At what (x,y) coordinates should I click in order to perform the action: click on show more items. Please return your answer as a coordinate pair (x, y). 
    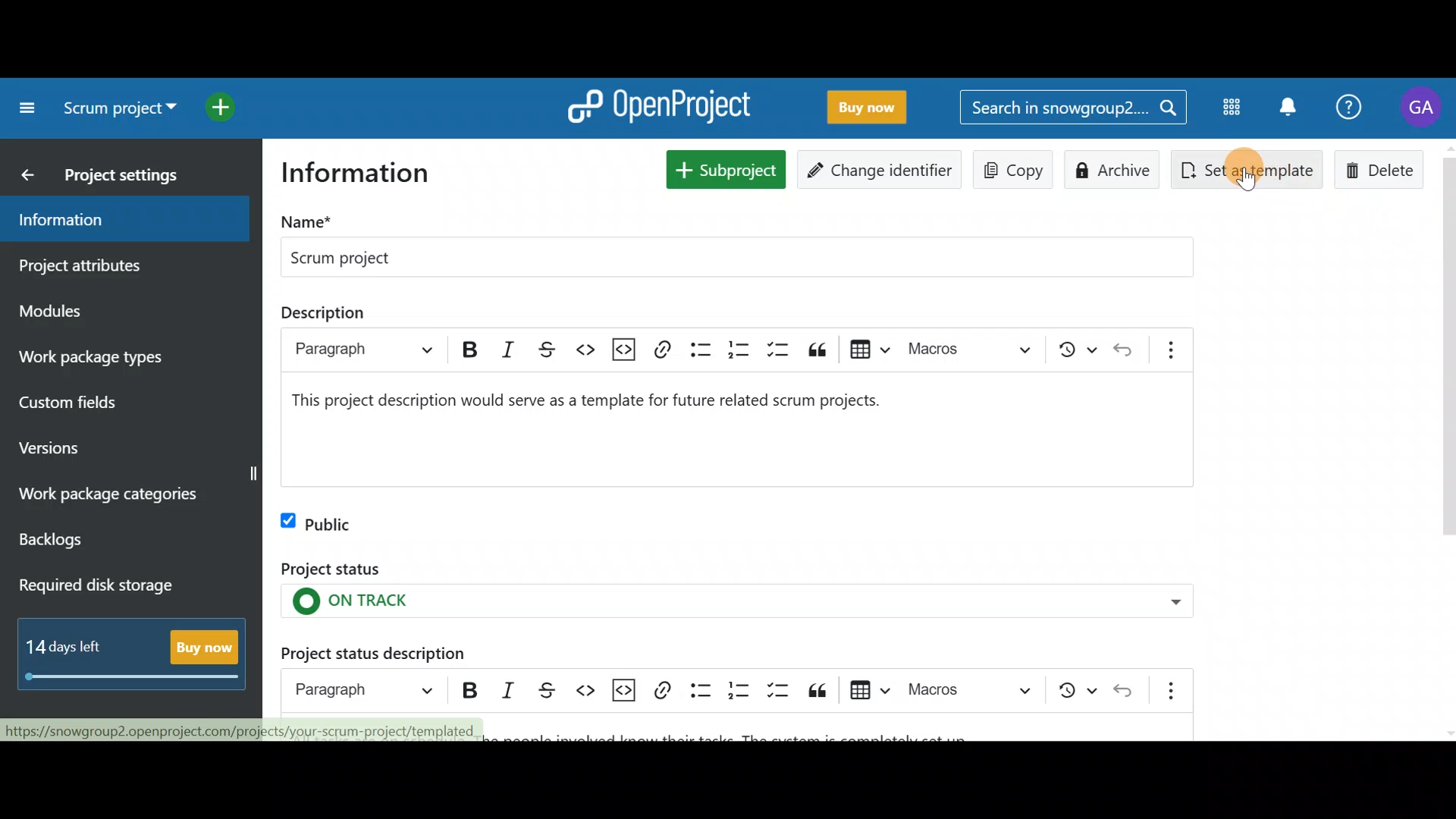
    Looking at the image, I should click on (1172, 350).